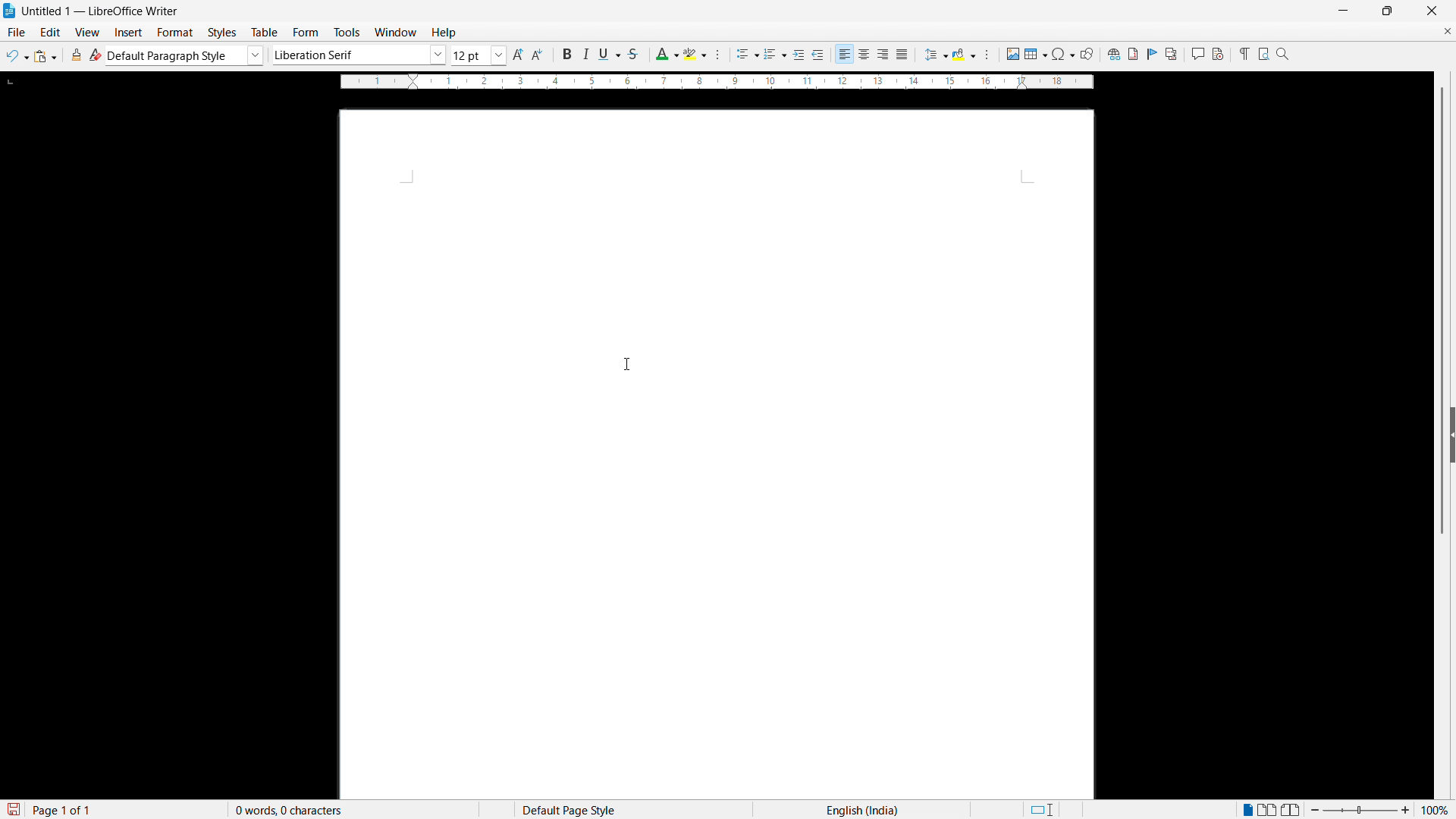 Image resolution: width=1456 pixels, height=819 pixels. What do you see at coordinates (1292, 810) in the screenshot?
I see `Bookview ` at bounding box center [1292, 810].